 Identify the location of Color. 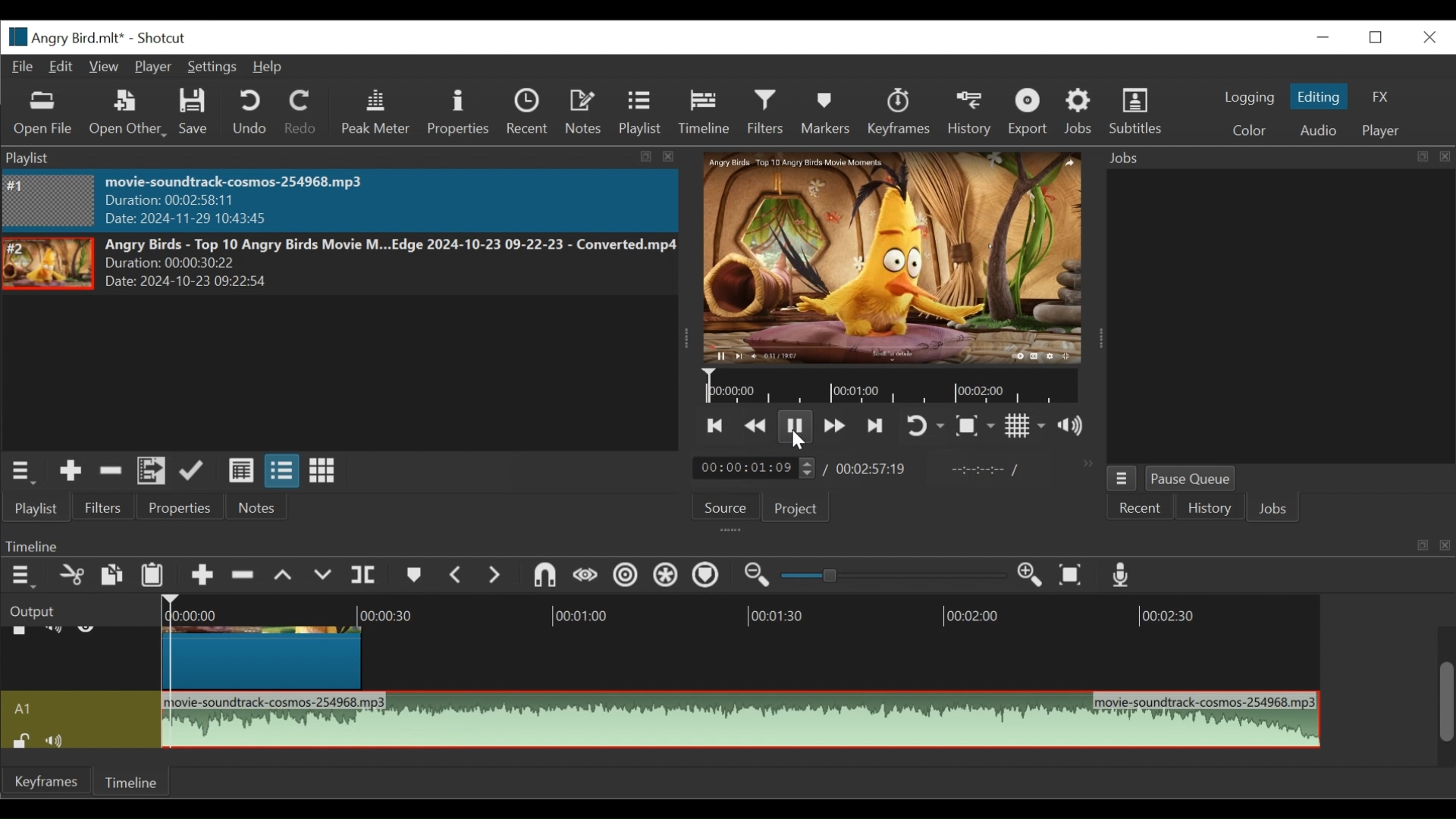
(1250, 131).